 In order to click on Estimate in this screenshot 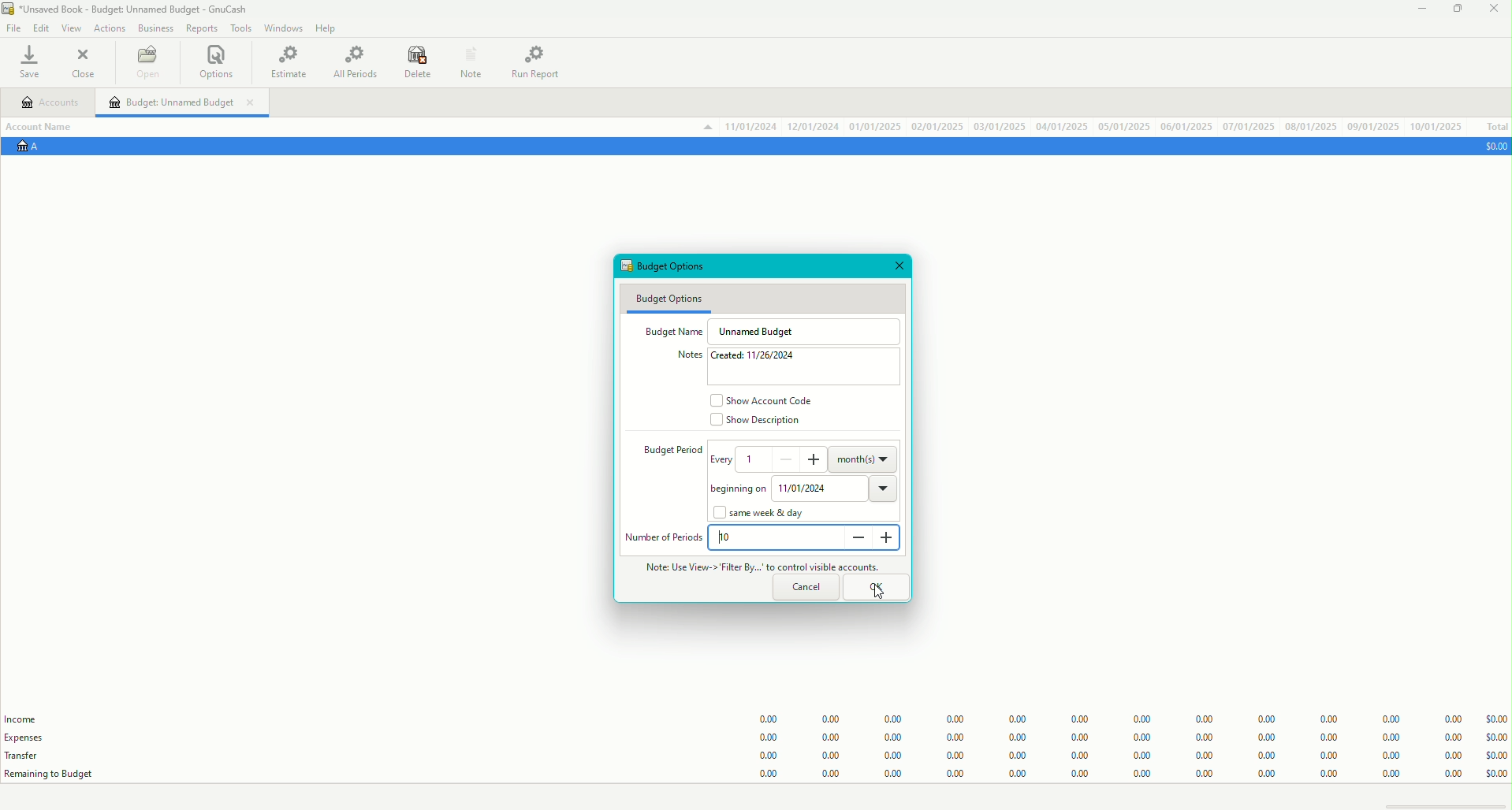, I will do `click(290, 61)`.